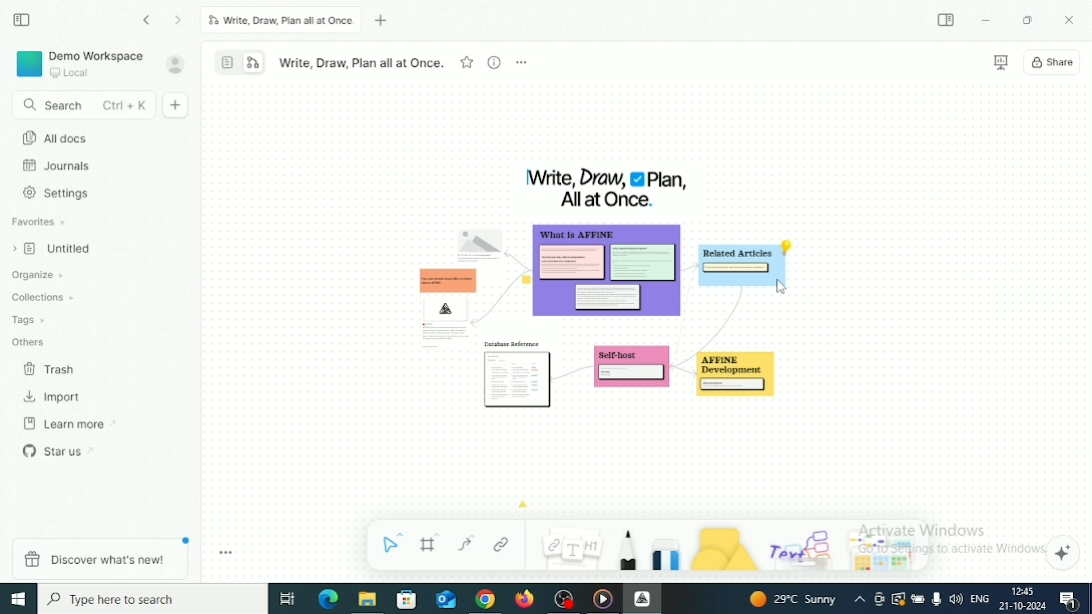 The height and width of the screenshot is (614, 1092). What do you see at coordinates (1054, 62) in the screenshot?
I see `Share` at bounding box center [1054, 62].